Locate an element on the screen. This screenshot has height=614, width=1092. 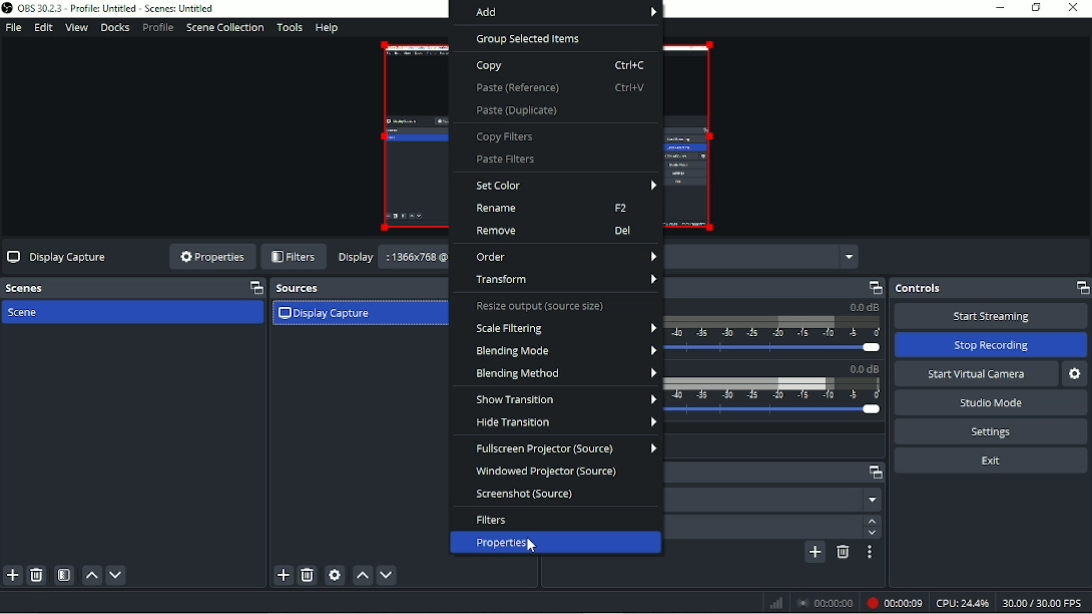
cursor is located at coordinates (533, 554).